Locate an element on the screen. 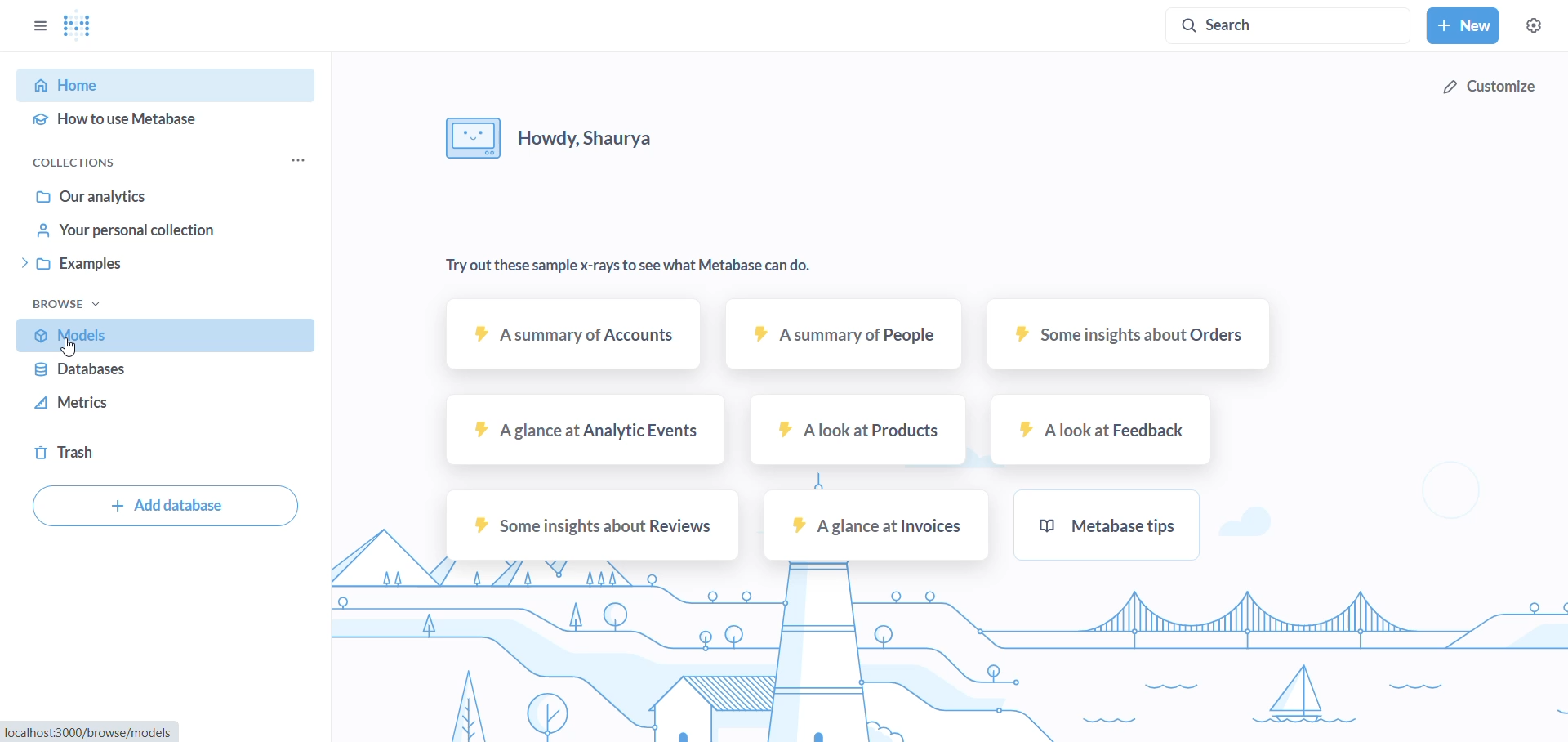 The image size is (1568, 742). collections options is located at coordinates (300, 162).